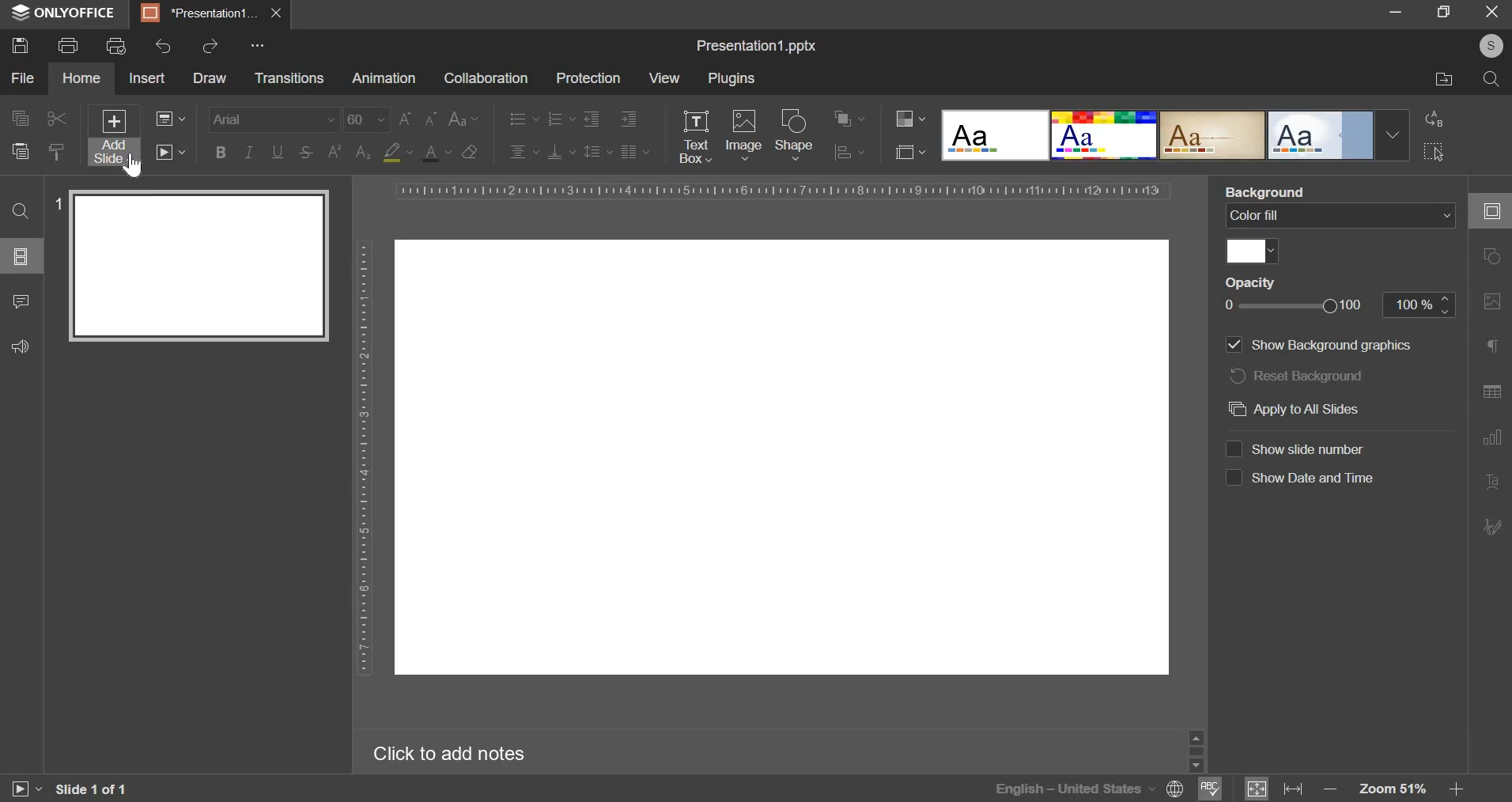 This screenshot has height=802, width=1512. What do you see at coordinates (169, 151) in the screenshot?
I see `slideshow` at bounding box center [169, 151].